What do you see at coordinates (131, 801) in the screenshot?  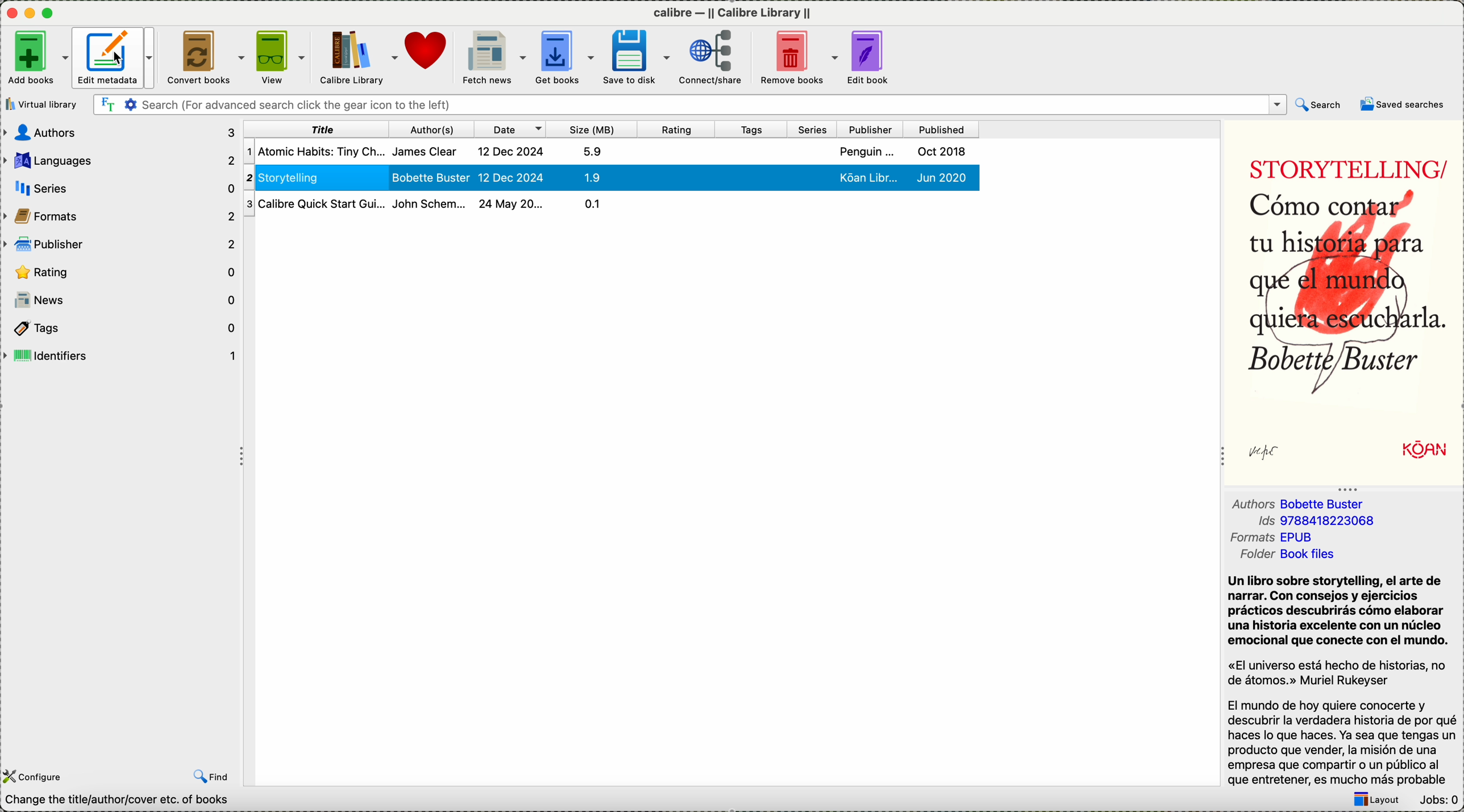 I see `data` at bounding box center [131, 801].